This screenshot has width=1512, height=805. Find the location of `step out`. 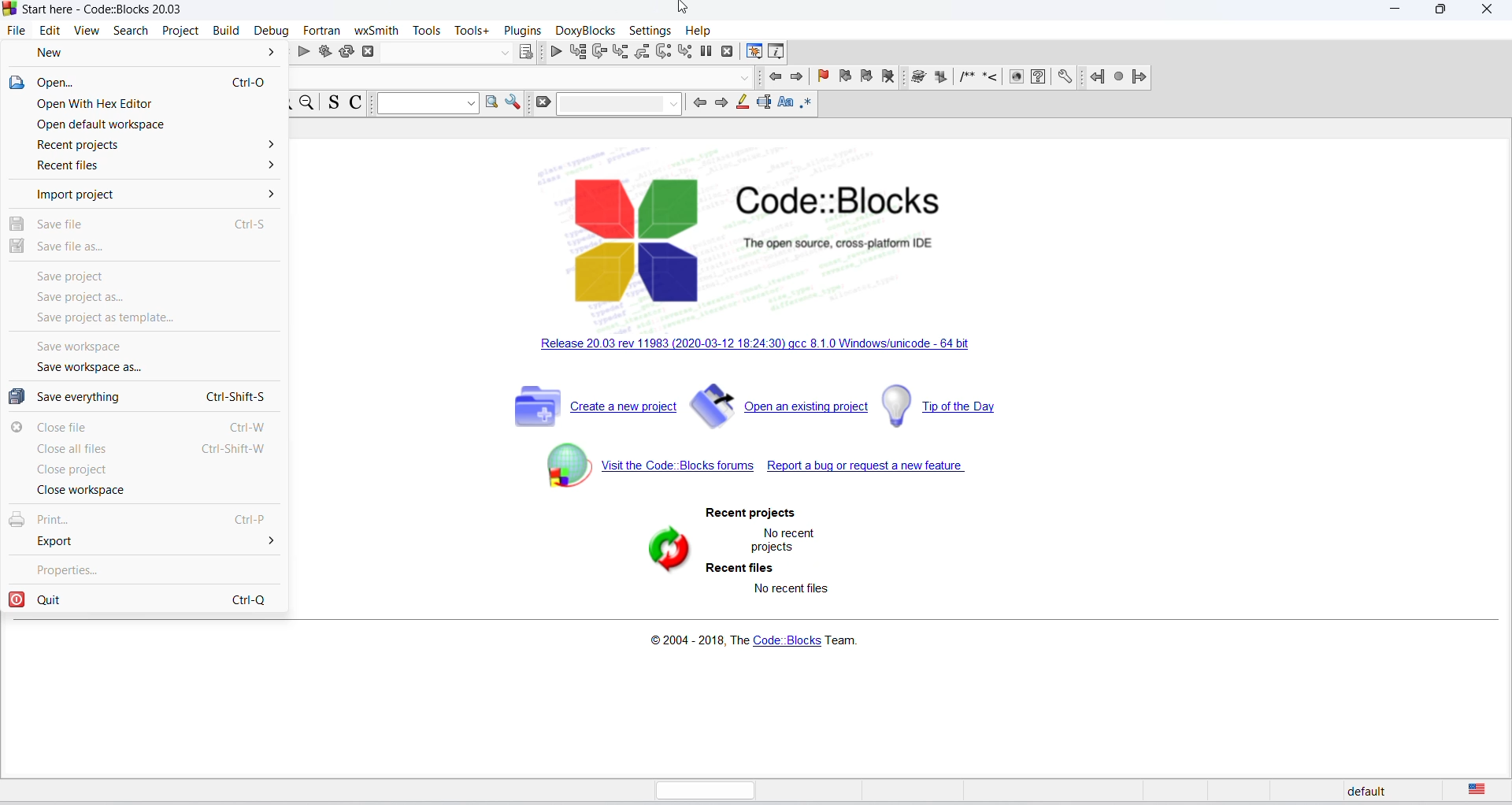

step out is located at coordinates (642, 52).